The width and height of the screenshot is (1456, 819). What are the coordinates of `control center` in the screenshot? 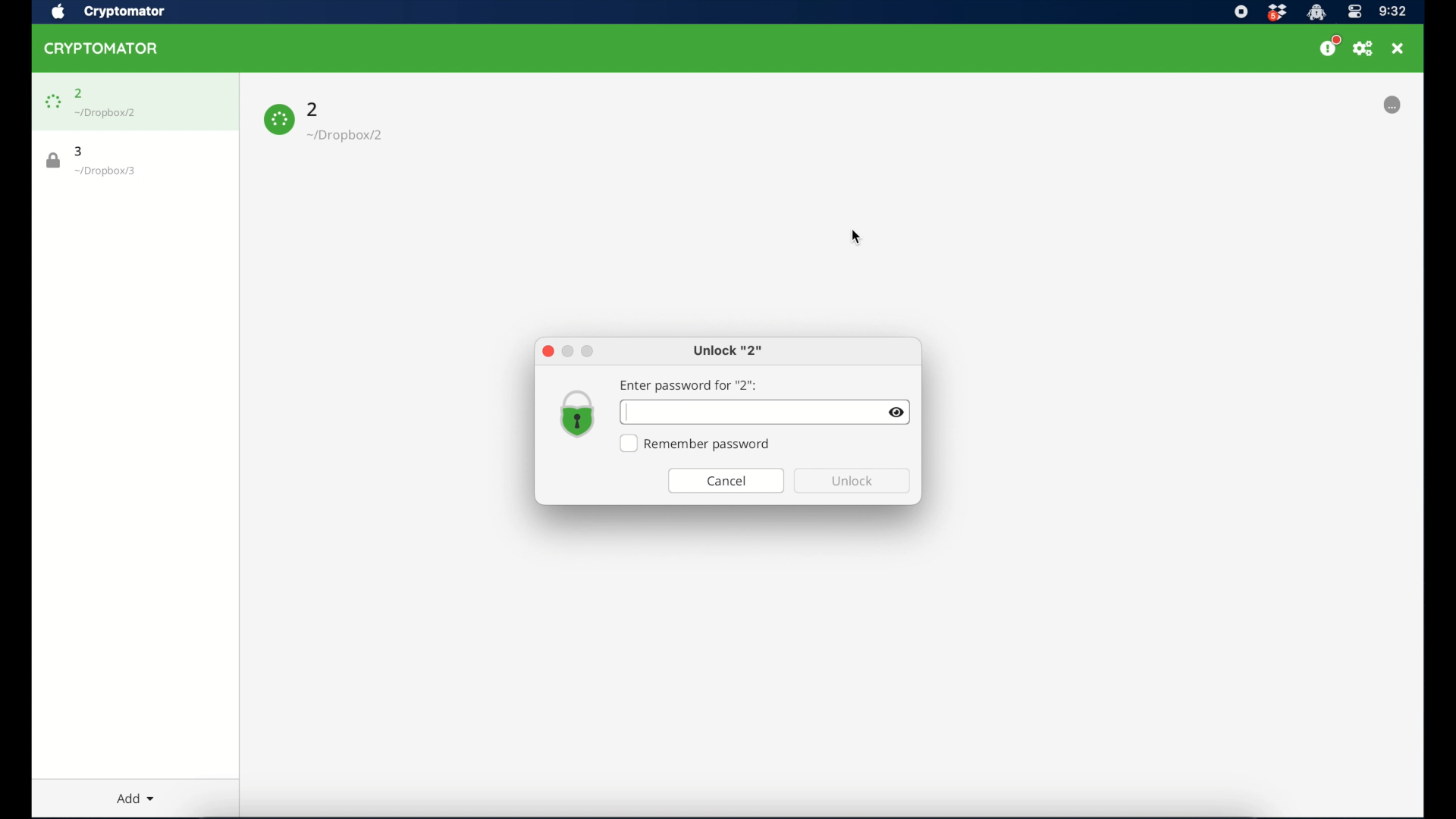 It's located at (1355, 12).